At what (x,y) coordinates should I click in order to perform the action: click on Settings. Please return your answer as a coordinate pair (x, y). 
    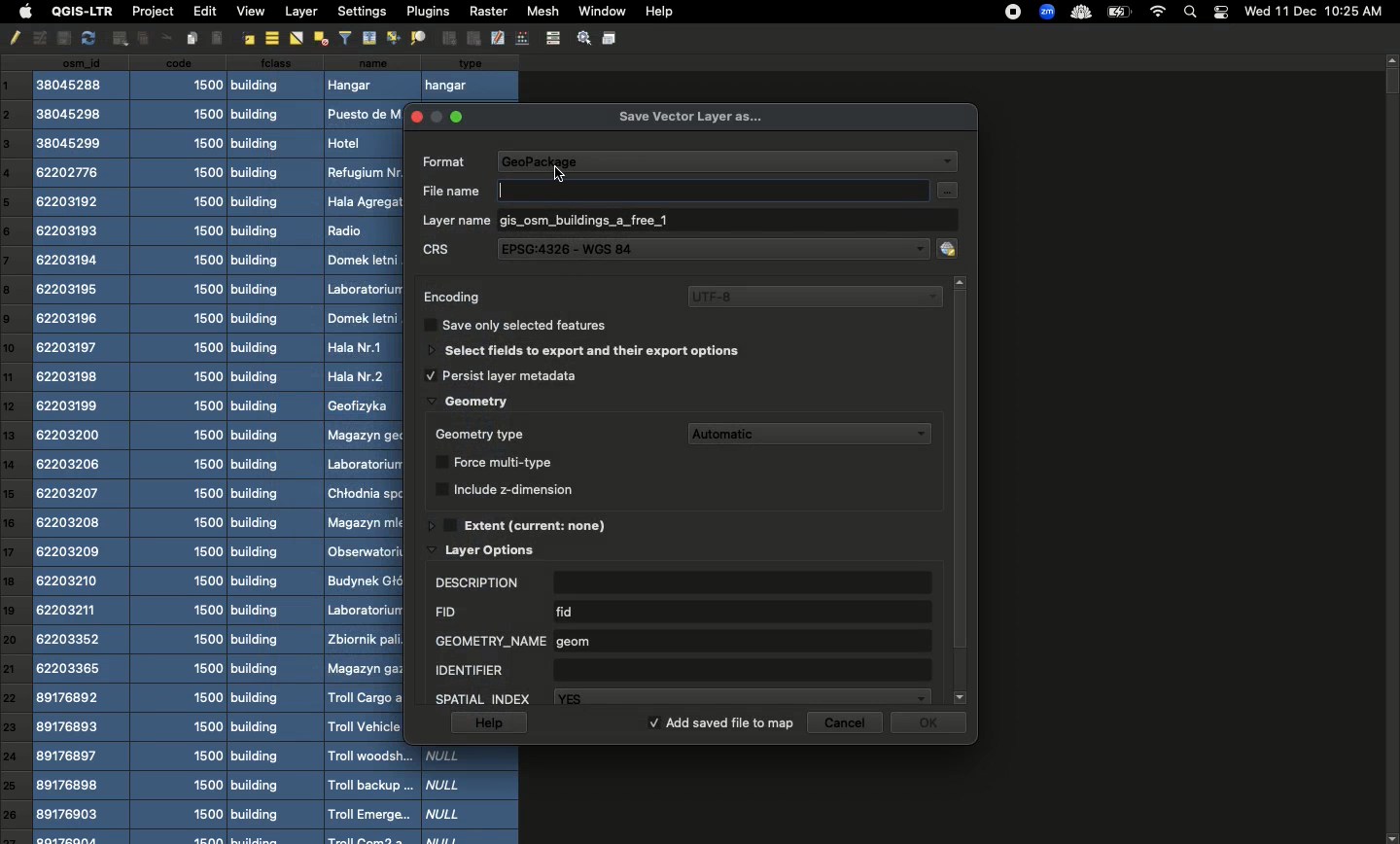
    Looking at the image, I should click on (363, 12).